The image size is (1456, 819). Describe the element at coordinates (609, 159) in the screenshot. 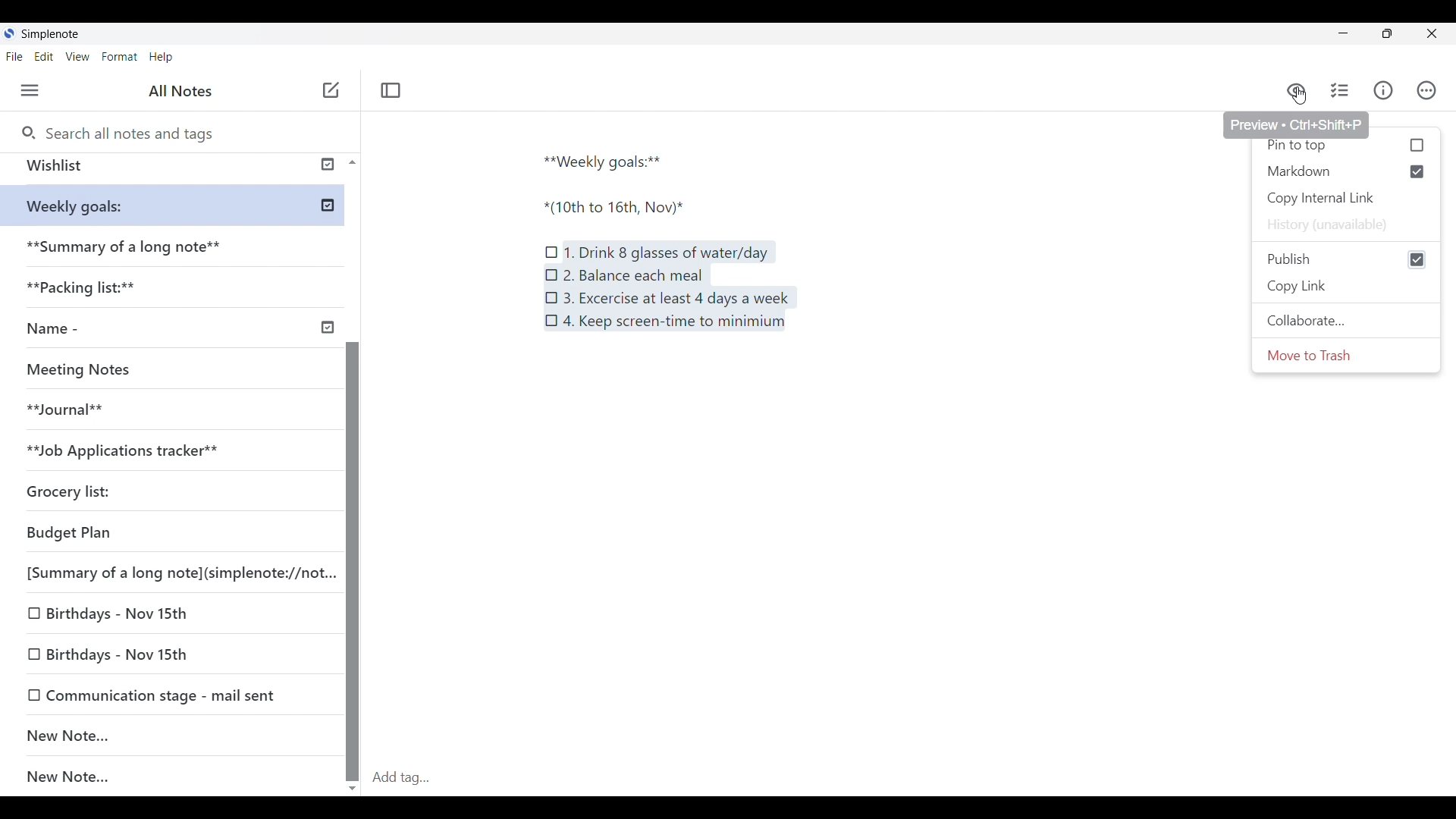

I see `**Weekly goals:**` at that location.